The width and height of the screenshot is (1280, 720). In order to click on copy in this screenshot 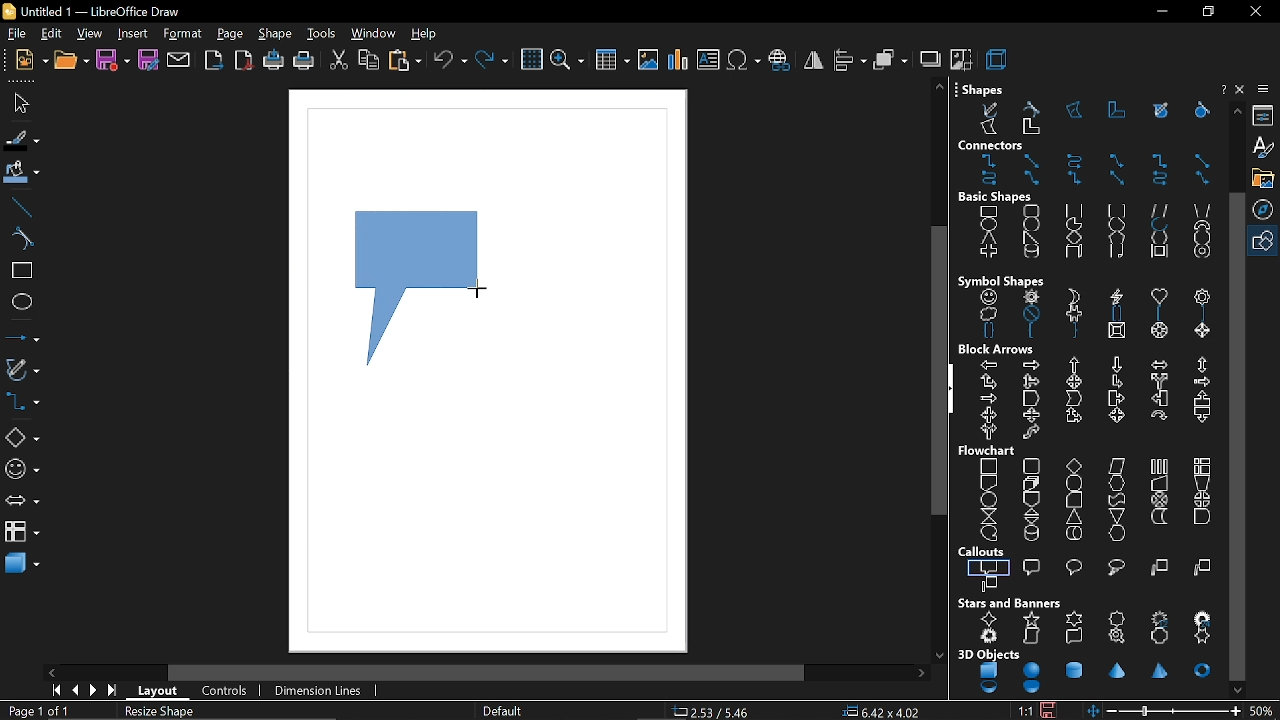, I will do `click(369, 60)`.